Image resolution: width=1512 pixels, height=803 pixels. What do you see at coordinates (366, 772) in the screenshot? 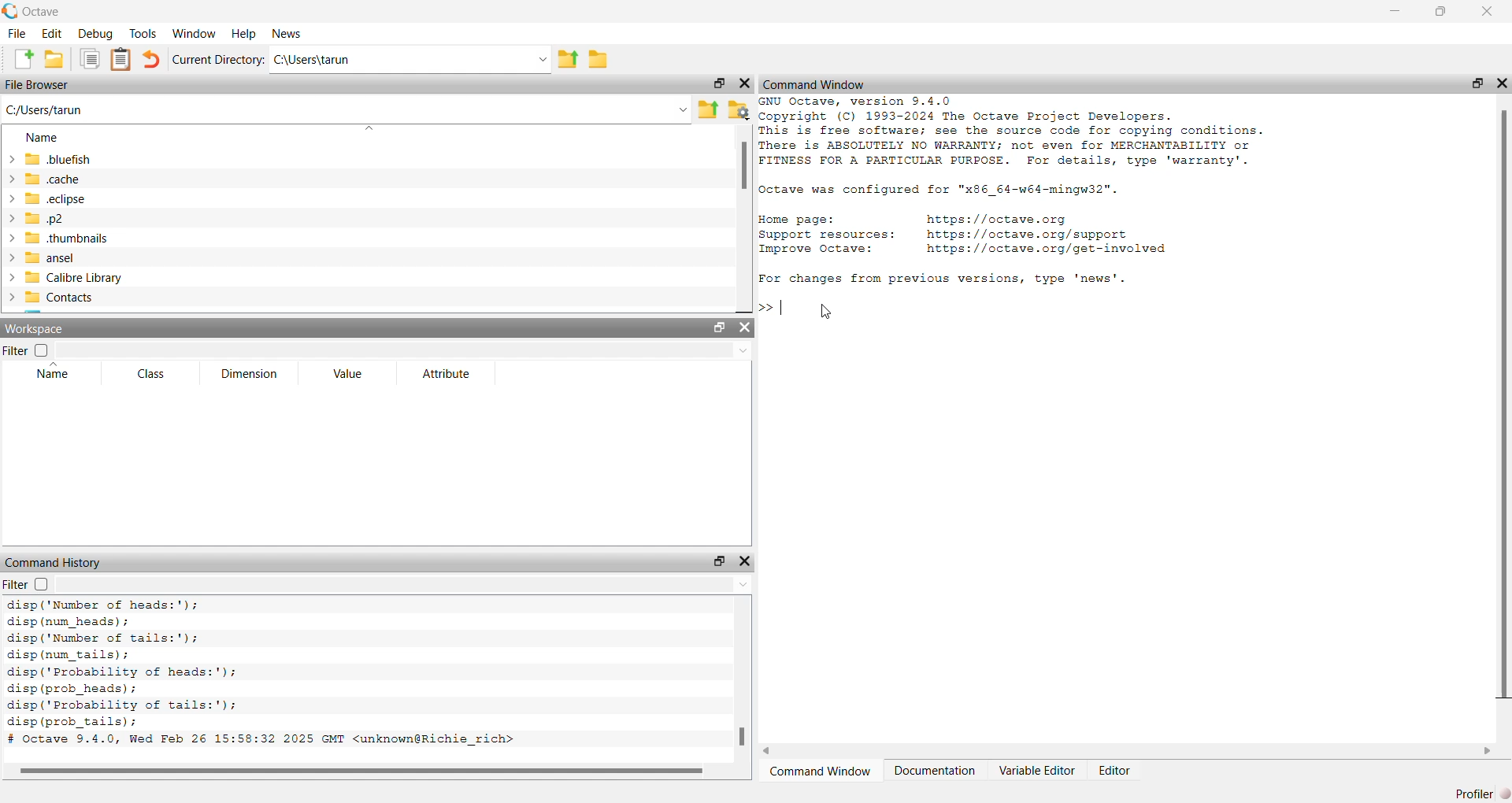
I see `horizontal scroll bar` at bounding box center [366, 772].